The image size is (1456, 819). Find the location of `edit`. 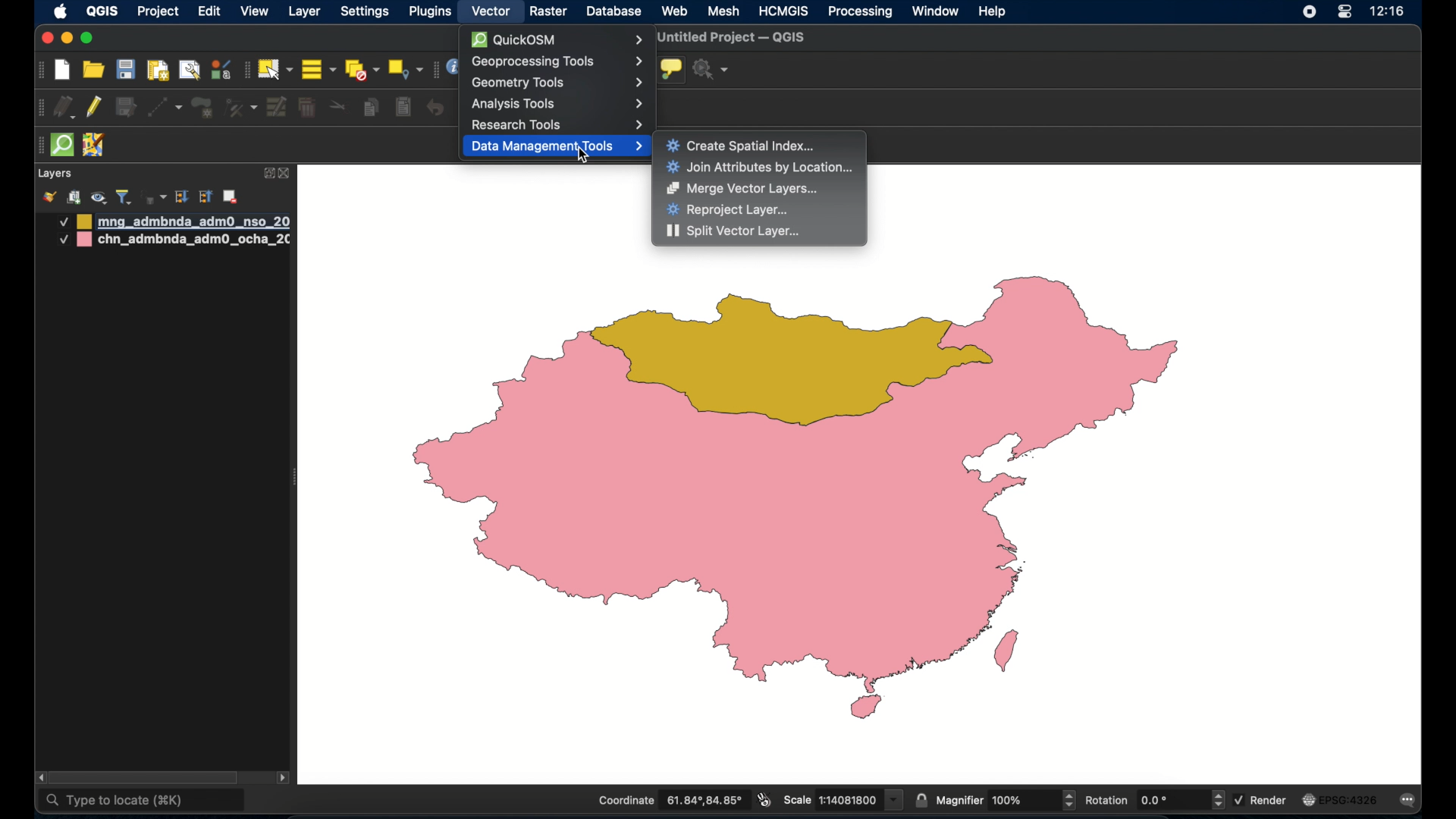

edit is located at coordinates (209, 13).